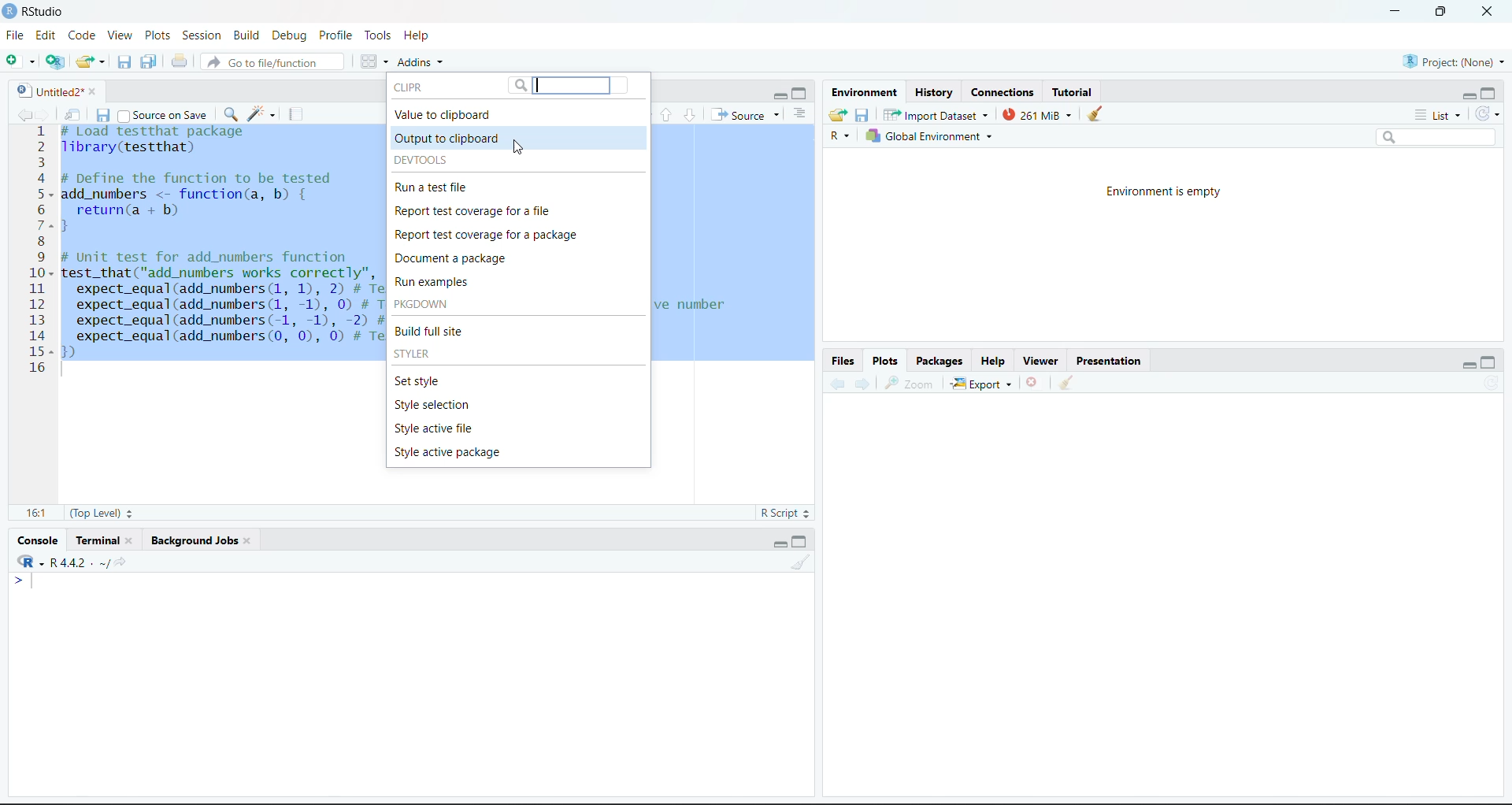 The width and height of the screenshot is (1512, 805). Describe the element at coordinates (89, 61) in the screenshot. I see `Open existing folder` at that location.